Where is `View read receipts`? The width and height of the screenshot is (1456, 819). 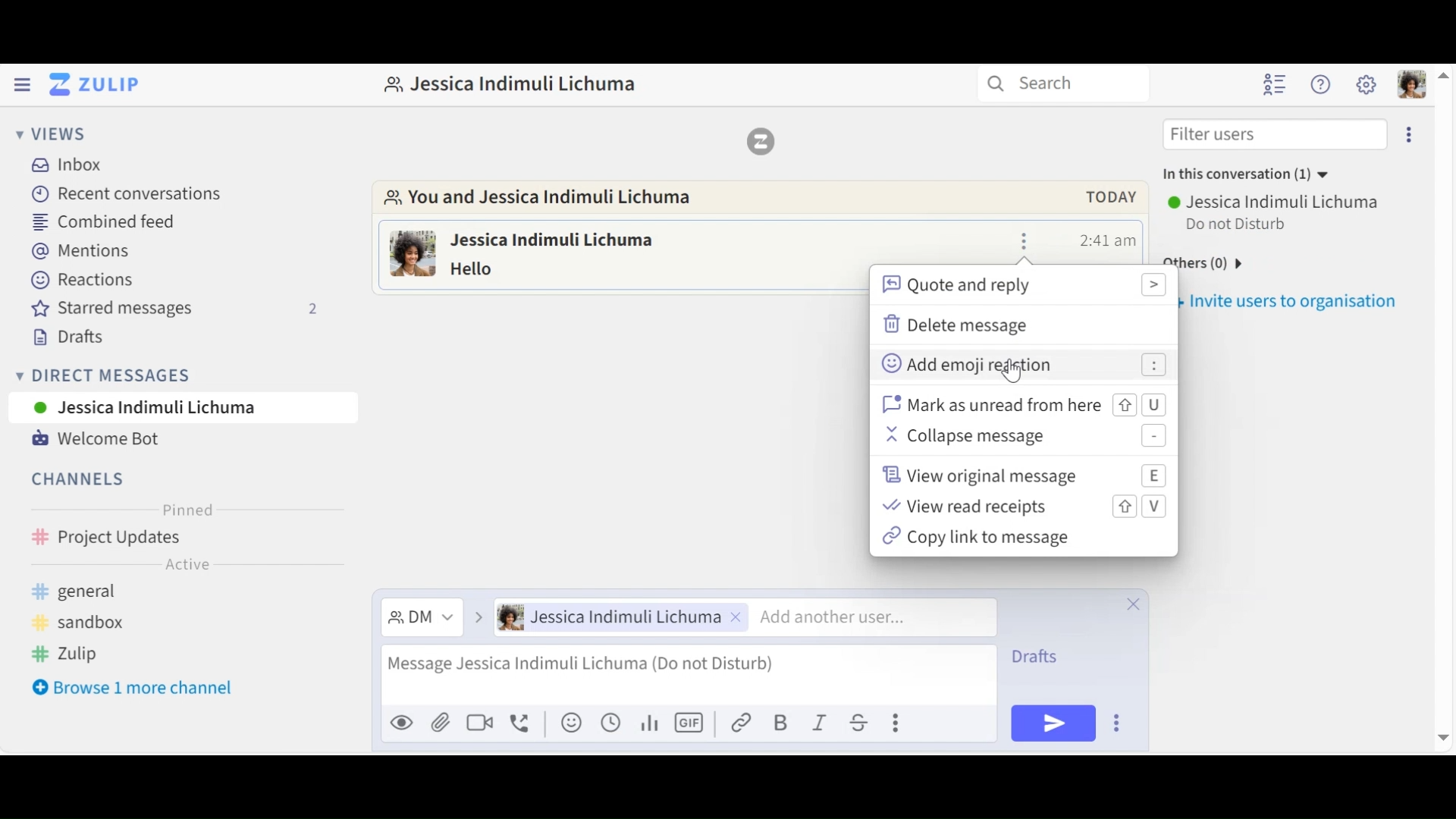
View read receipts is located at coordinates (1021, 506).